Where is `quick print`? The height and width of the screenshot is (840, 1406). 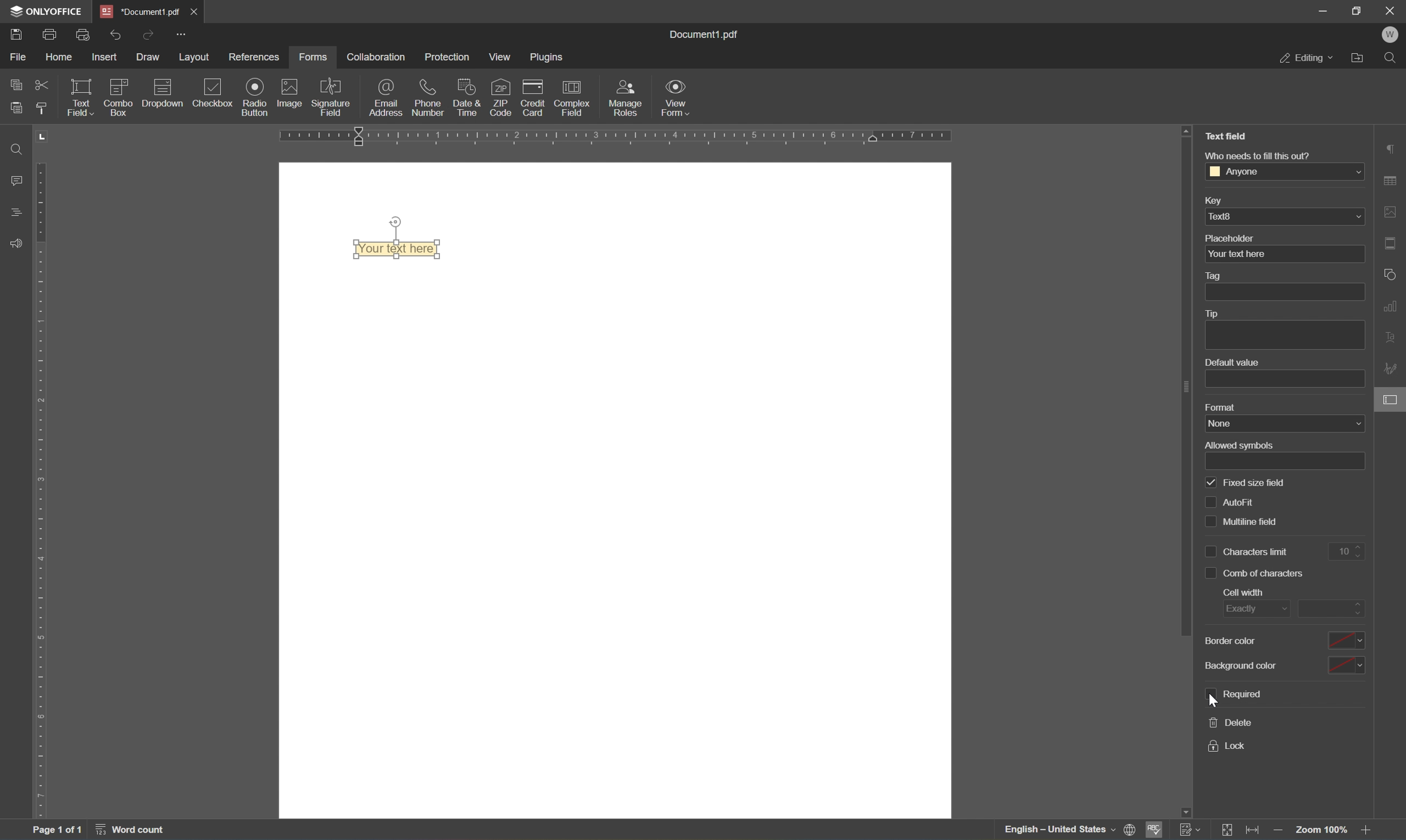
quick print is located at coordinates (86, 35).